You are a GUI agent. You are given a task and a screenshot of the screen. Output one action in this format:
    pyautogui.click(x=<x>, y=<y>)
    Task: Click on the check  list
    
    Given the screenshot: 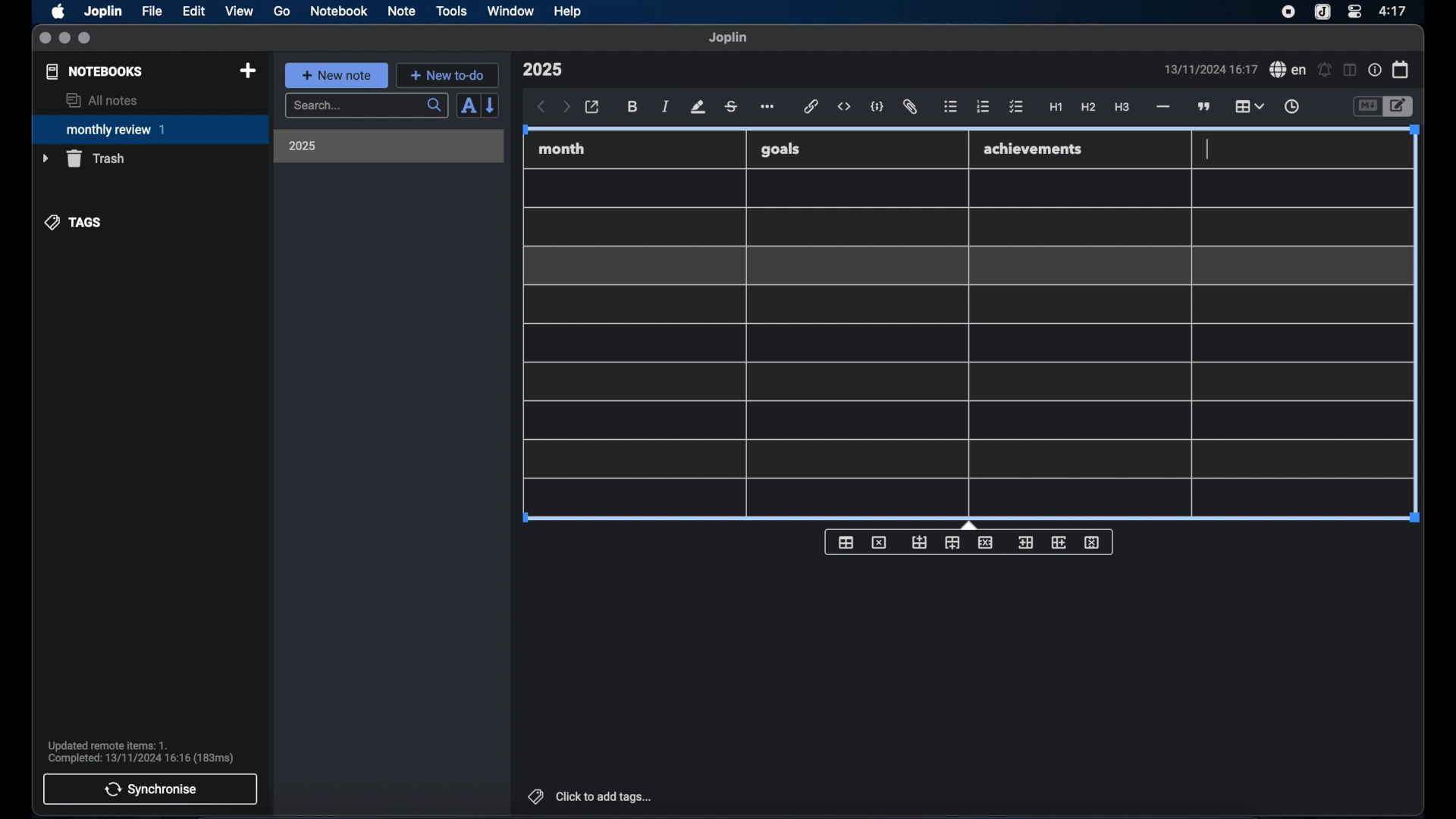 What is the action you would take?
    pyautogui.click(x=1016, y=108)
    